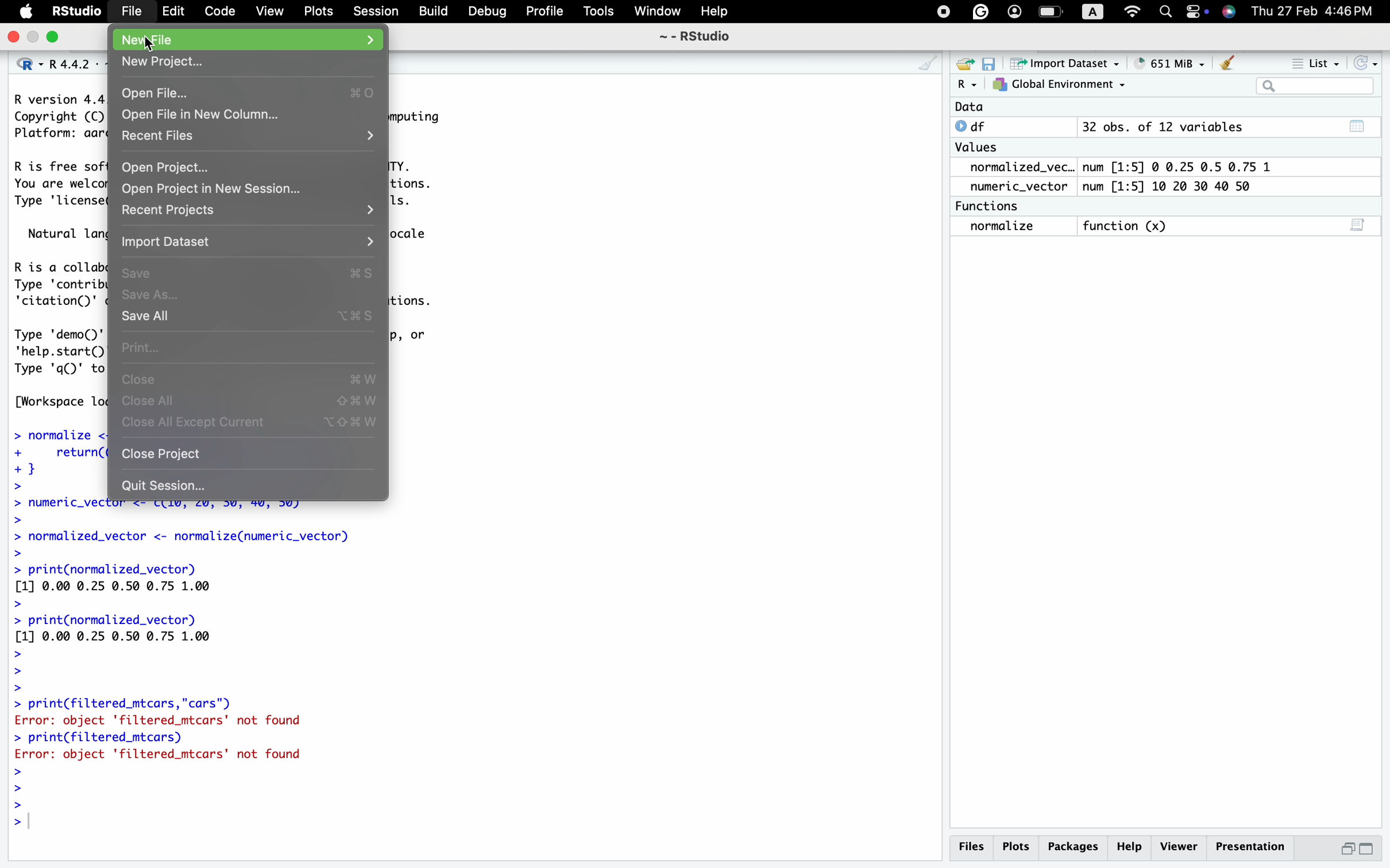 The height and width of the screenshot is (868, 1390). I want to click on Packages, so click(1074, 847).